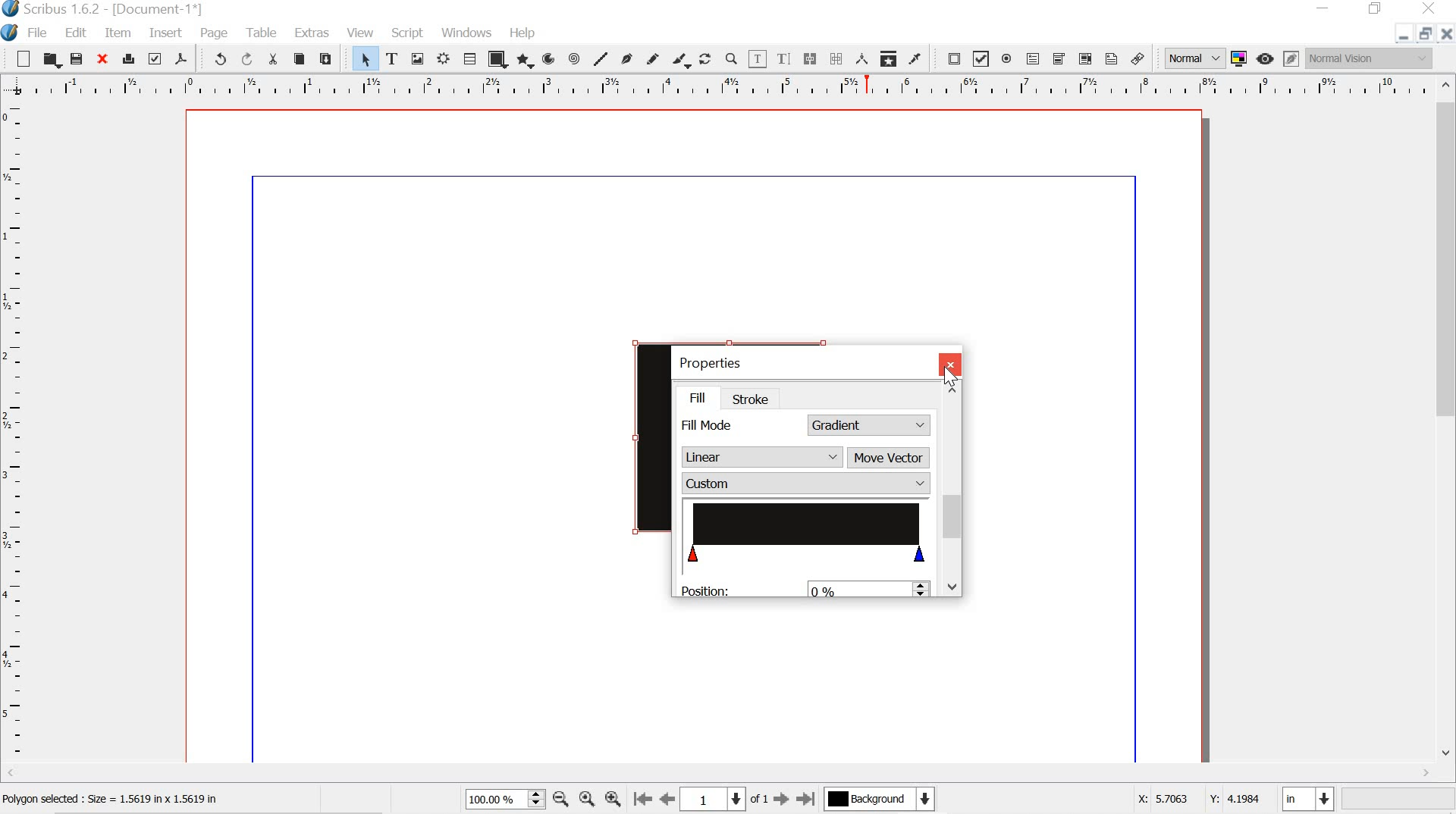 Image resolution: width=1456 pixels, height=814 pixels. What do you see at coordinates (952, 58) in the screenshot?
I see `pdf push button` at bounding box center [952, 58].